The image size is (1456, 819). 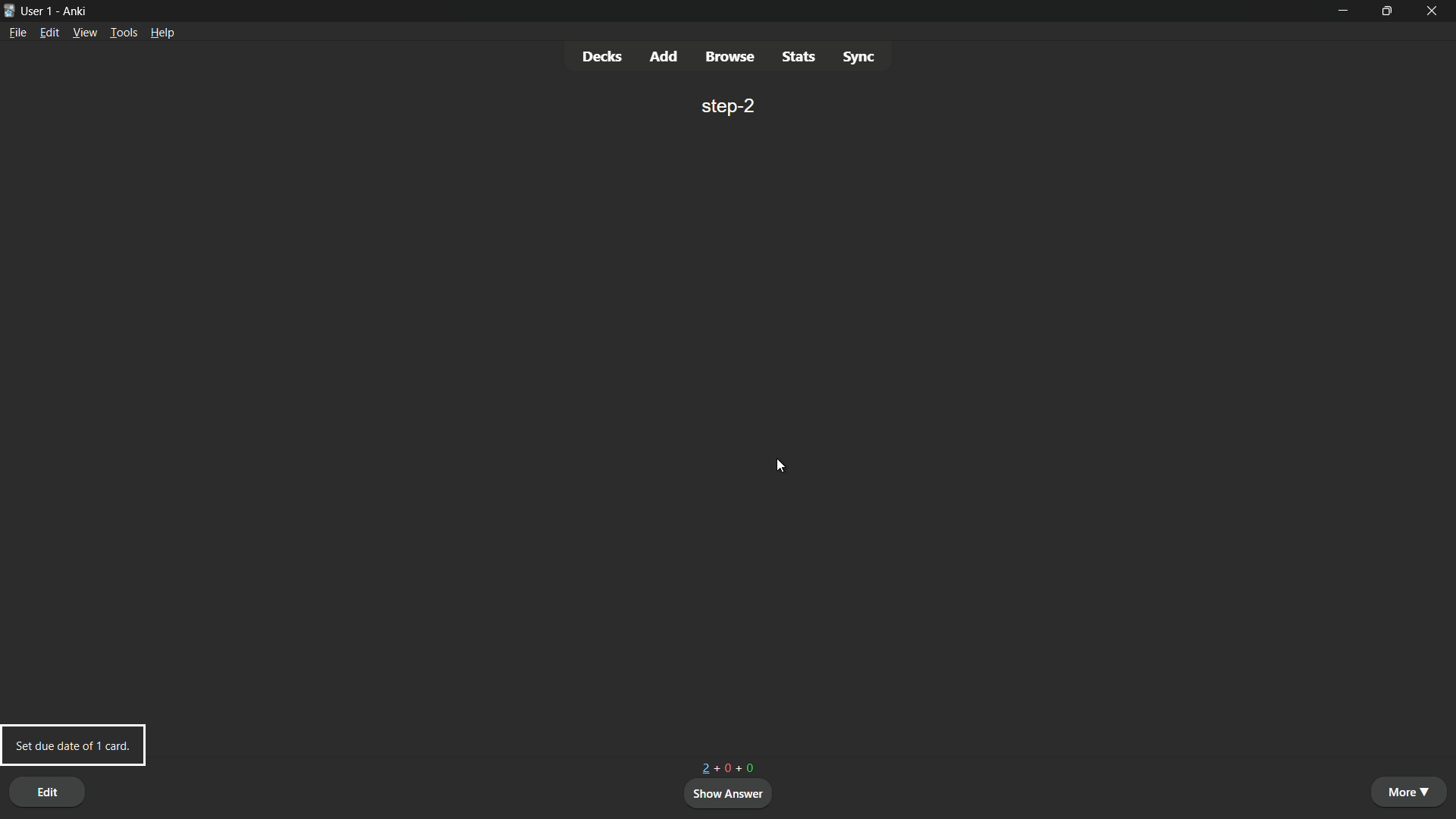 What do you see at coordinates (601, 55) in the screenshot?
I see `decks` at bounding box center [601, 55].